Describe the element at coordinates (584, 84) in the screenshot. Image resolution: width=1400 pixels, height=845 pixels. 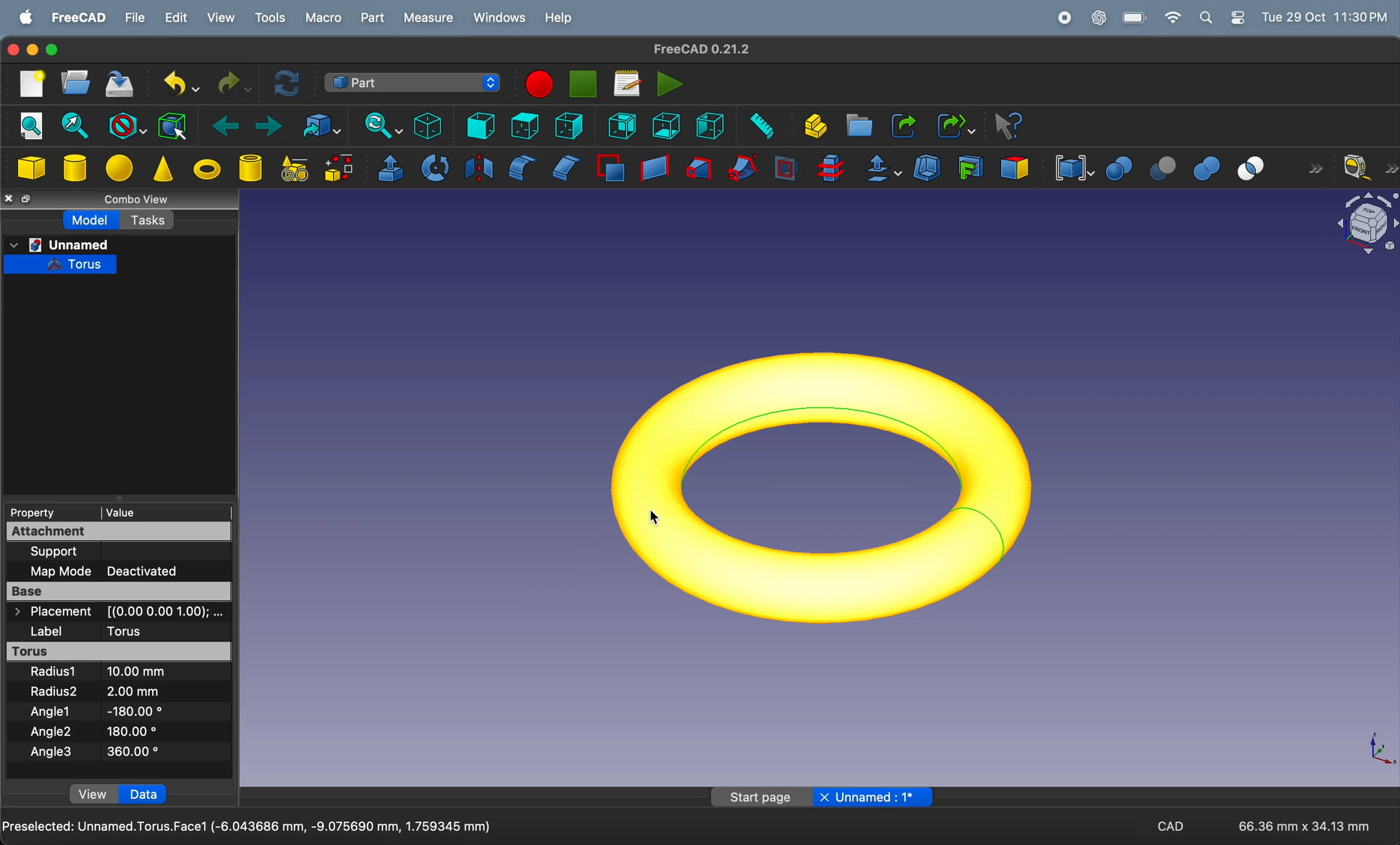
I see `stop marco recording` at that location.